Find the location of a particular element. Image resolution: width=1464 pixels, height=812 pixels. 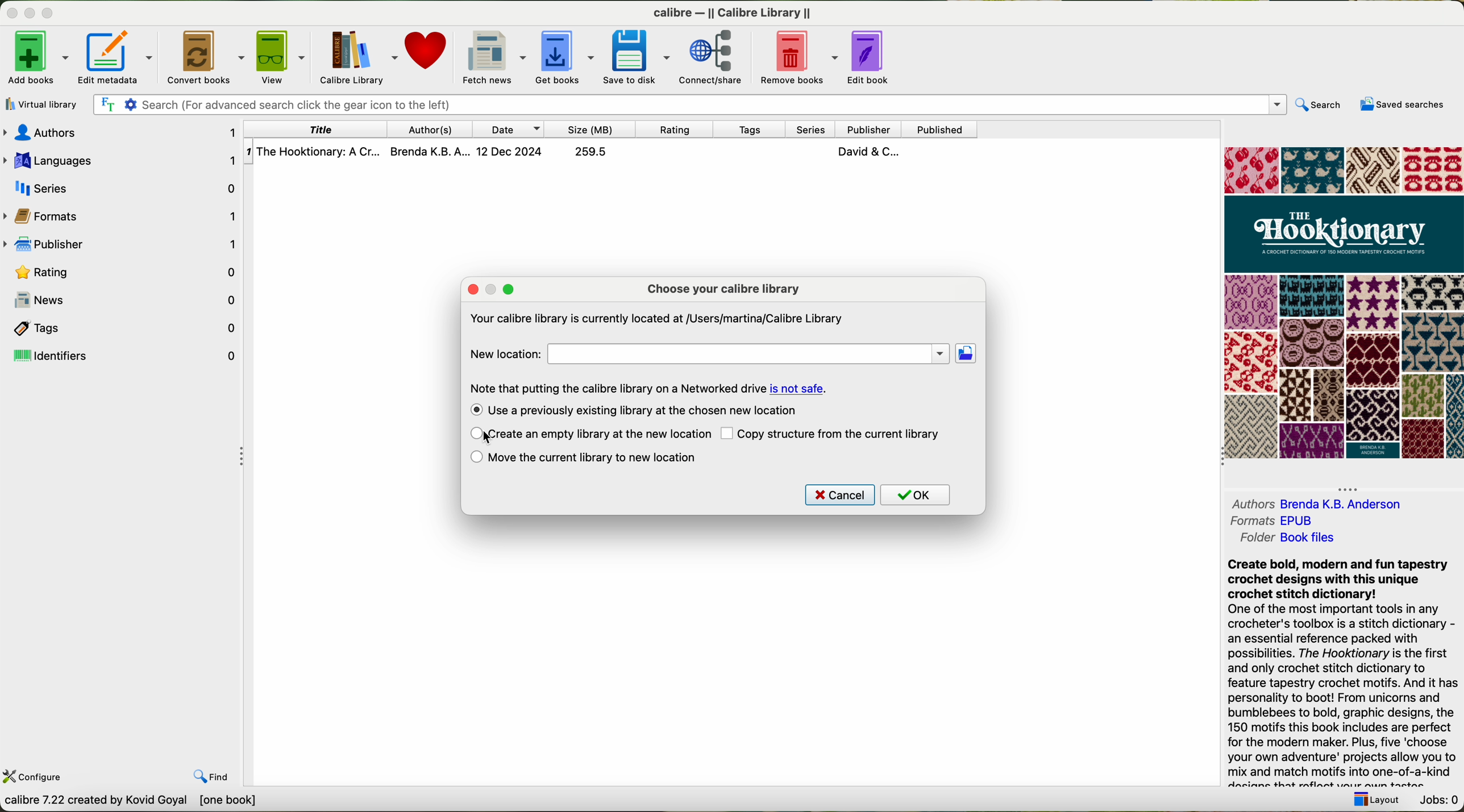

size is located at coordinates (597, 129).